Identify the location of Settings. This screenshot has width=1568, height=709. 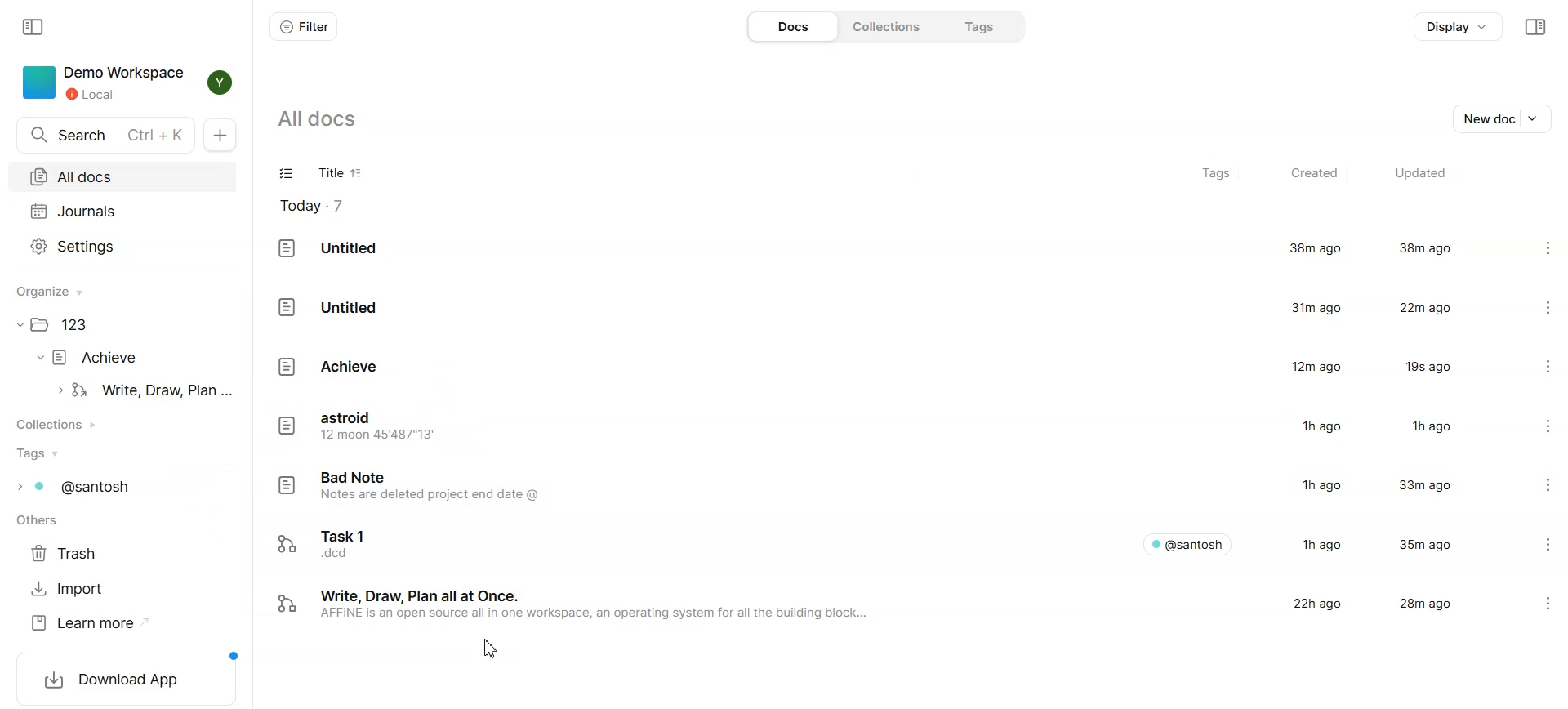
(1535, 427).